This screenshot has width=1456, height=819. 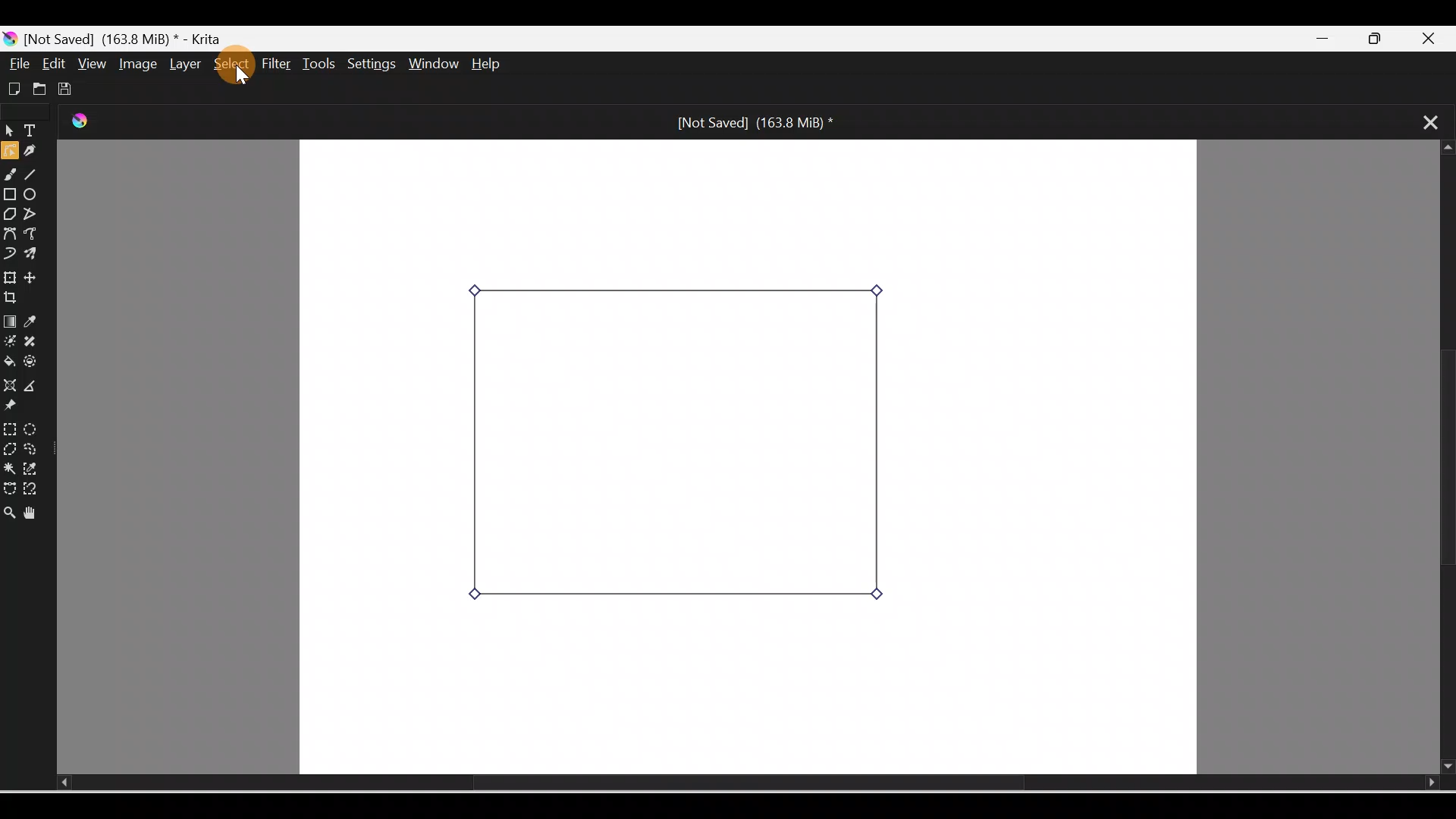 I want to click on Filter, so click(x=277, y=64).